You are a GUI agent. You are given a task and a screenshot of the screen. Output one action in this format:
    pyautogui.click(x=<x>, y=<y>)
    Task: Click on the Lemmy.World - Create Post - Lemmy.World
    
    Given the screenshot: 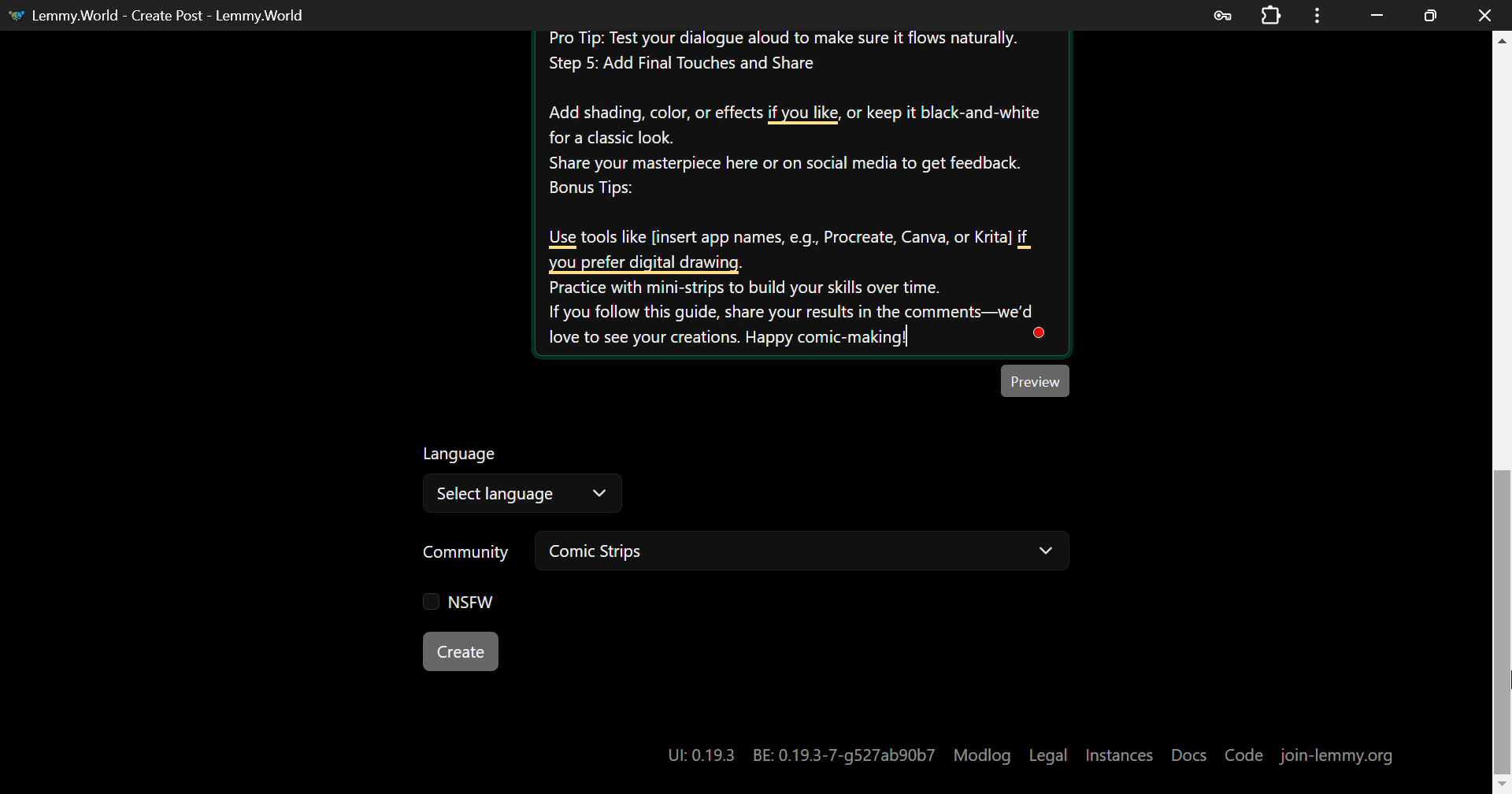 What is the action you would take?
    pyautogui.click(x=164, y=15)
    